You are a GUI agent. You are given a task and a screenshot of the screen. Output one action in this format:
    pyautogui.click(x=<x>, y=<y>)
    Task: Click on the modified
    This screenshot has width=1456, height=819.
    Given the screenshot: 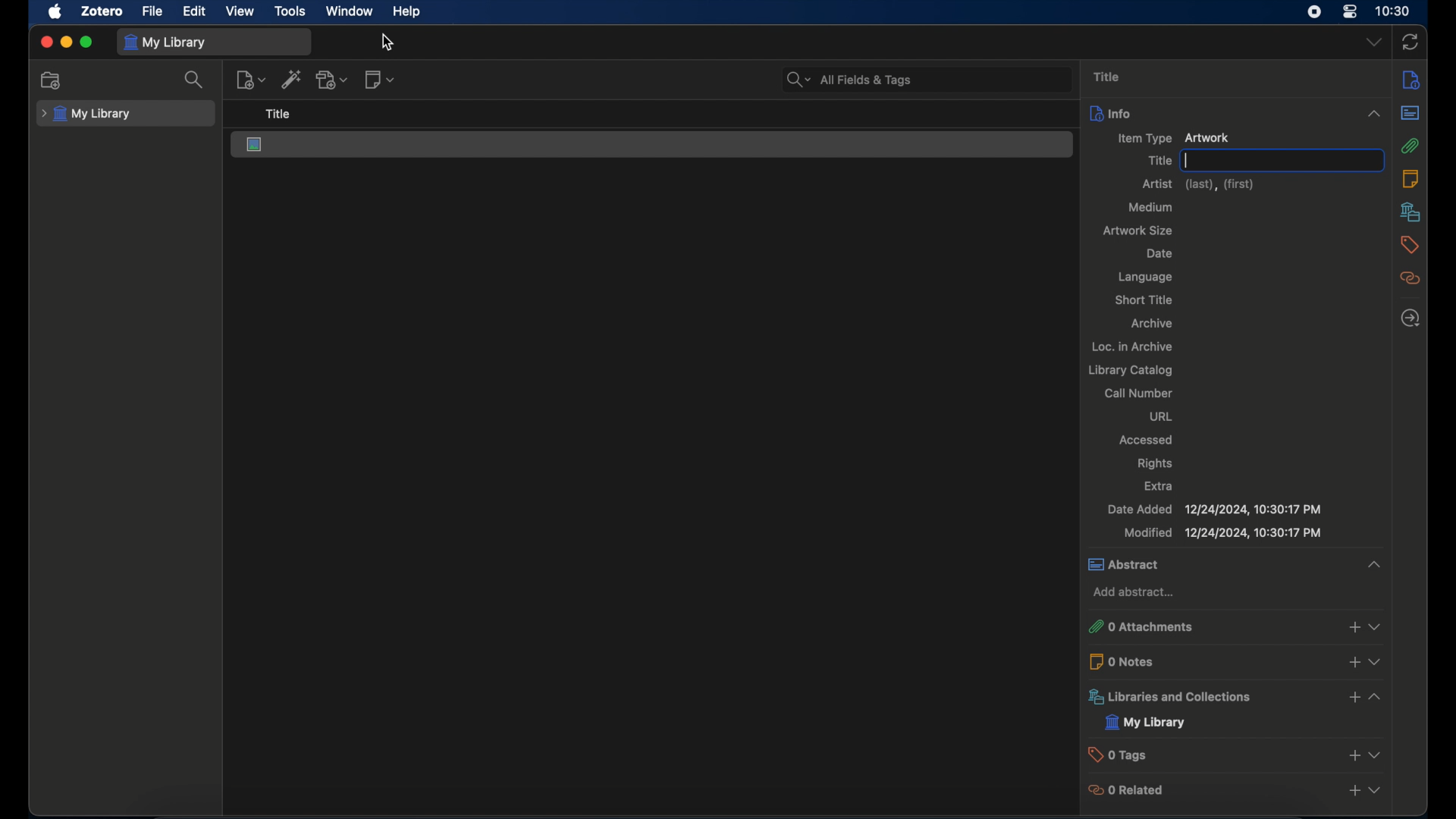 What is the action you would take?
    pyautogui.click(x=1224, y=534)
    